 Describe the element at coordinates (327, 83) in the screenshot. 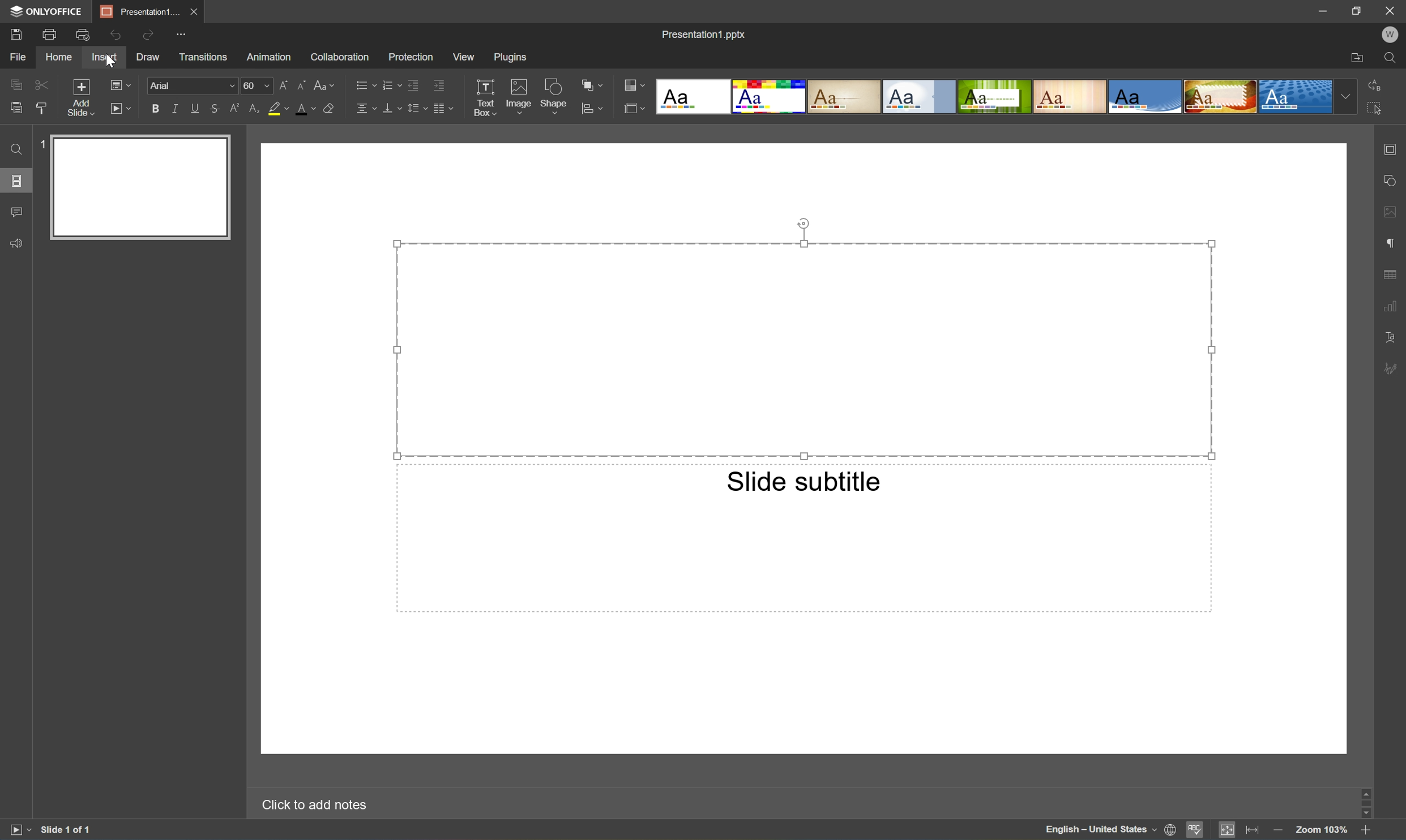

I see `Change case` at that location.